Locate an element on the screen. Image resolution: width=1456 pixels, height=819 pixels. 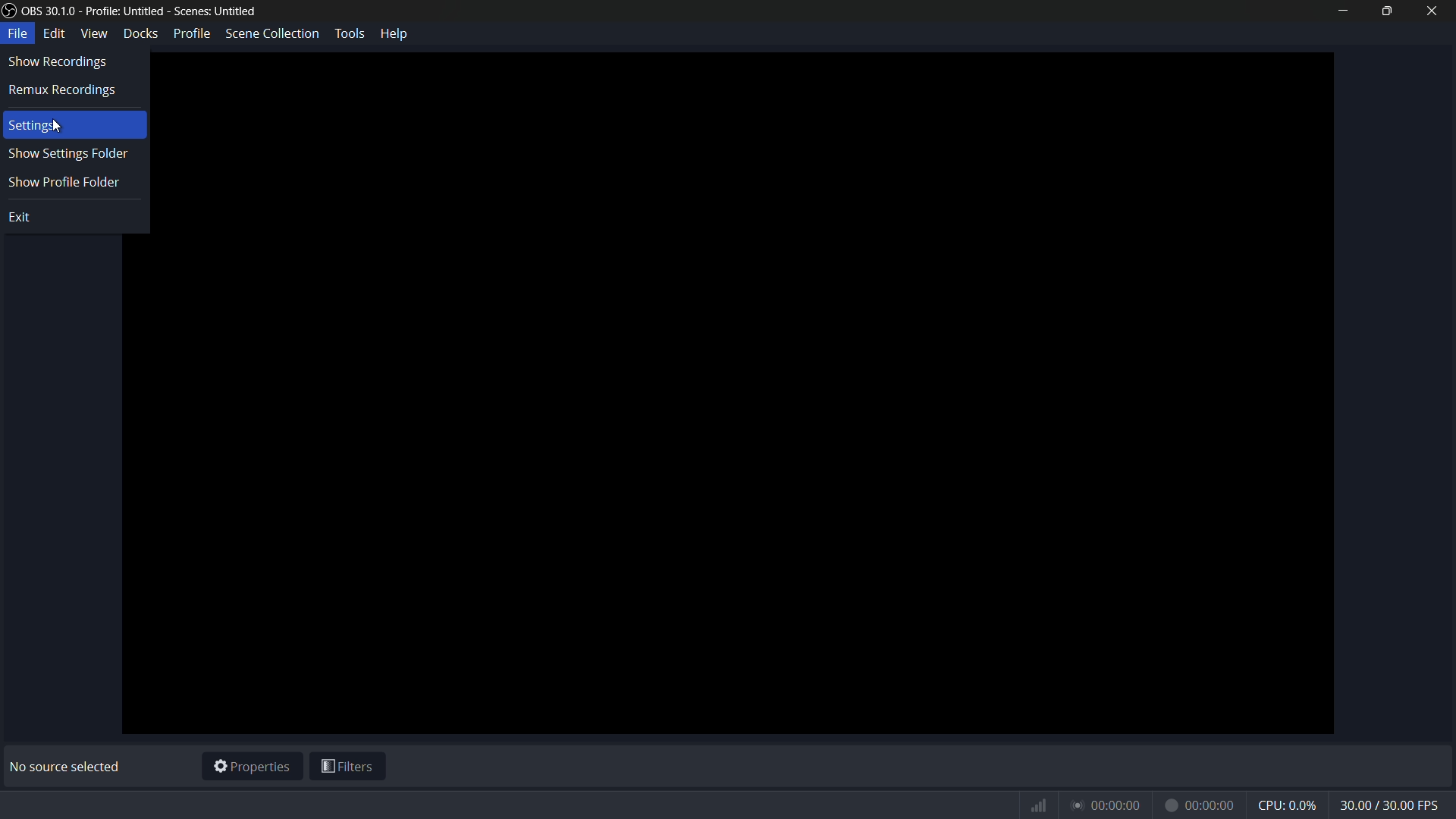
settings is located at coordinates (33, 127).